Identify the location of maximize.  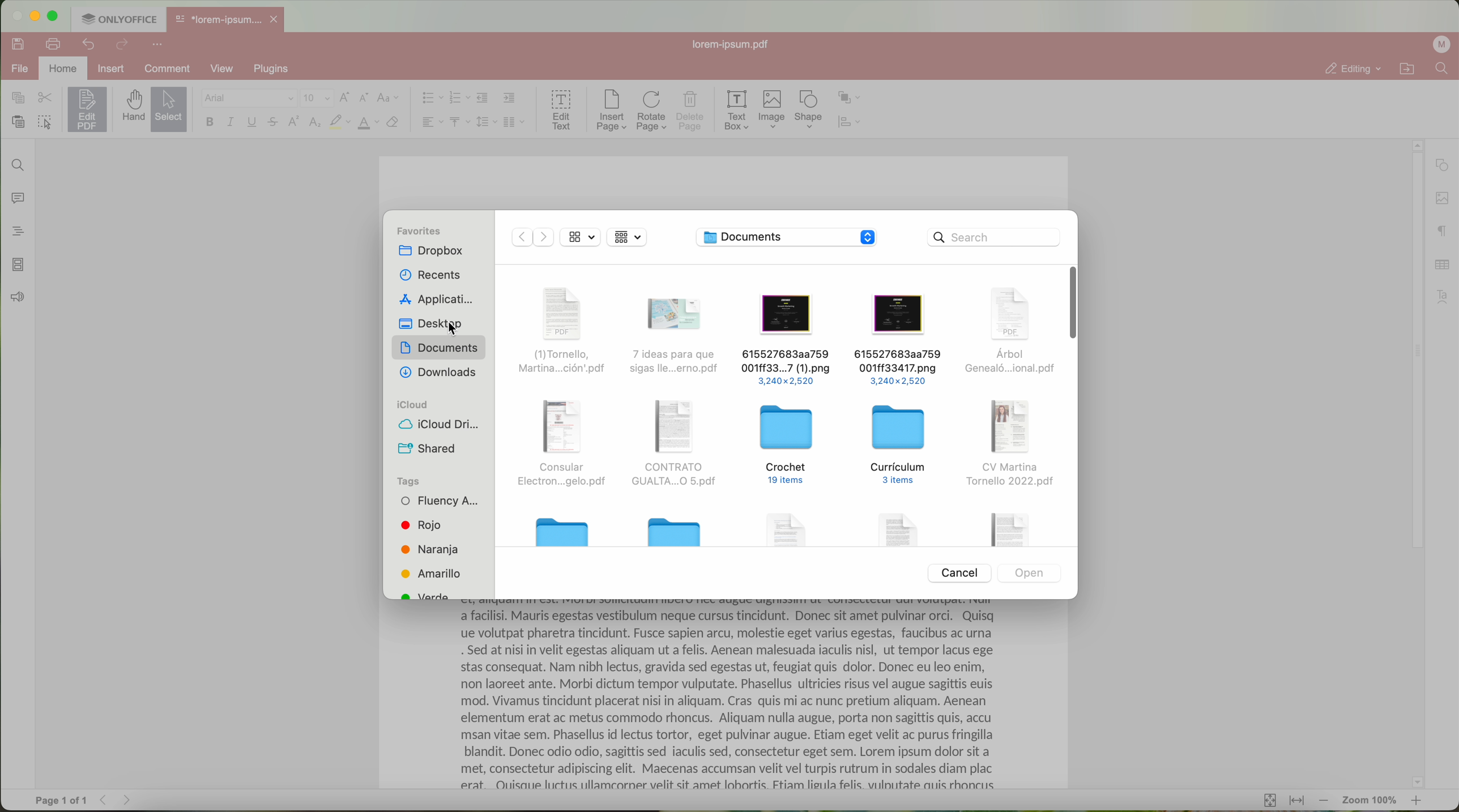
(54, 16).